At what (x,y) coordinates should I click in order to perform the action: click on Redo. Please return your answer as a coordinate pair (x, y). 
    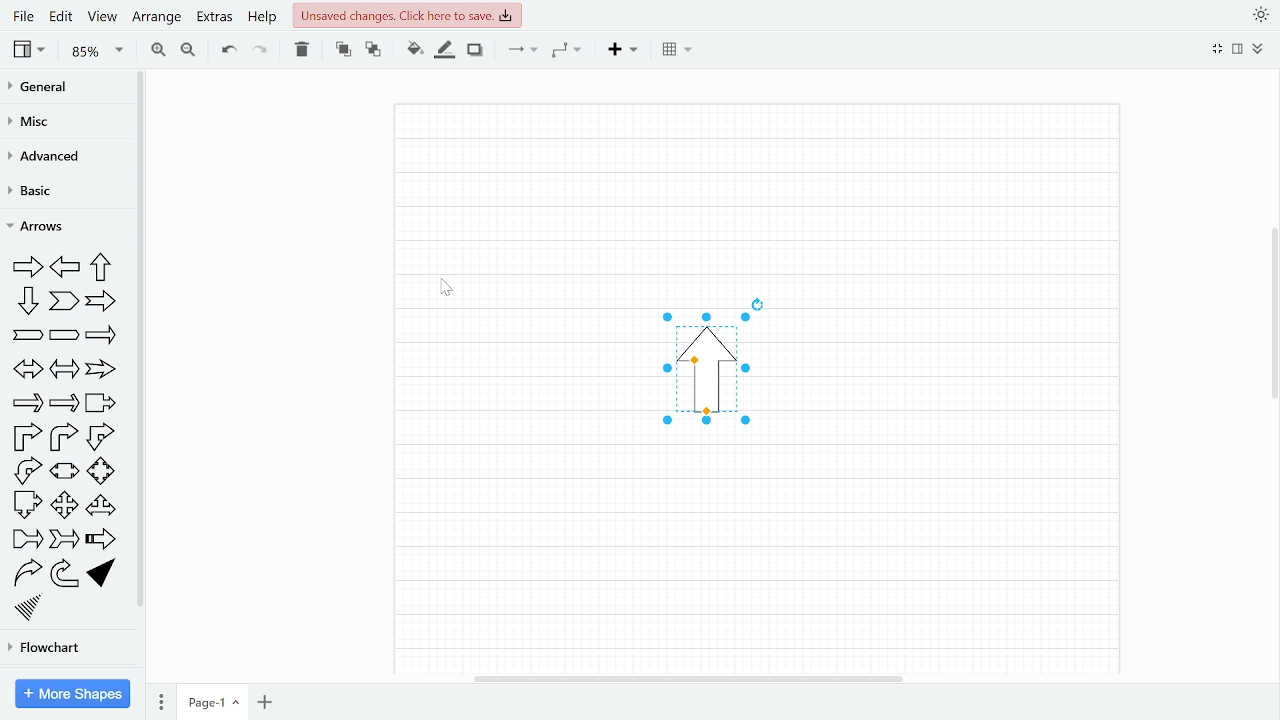
    Looking at the image, I should click on (261, 51).